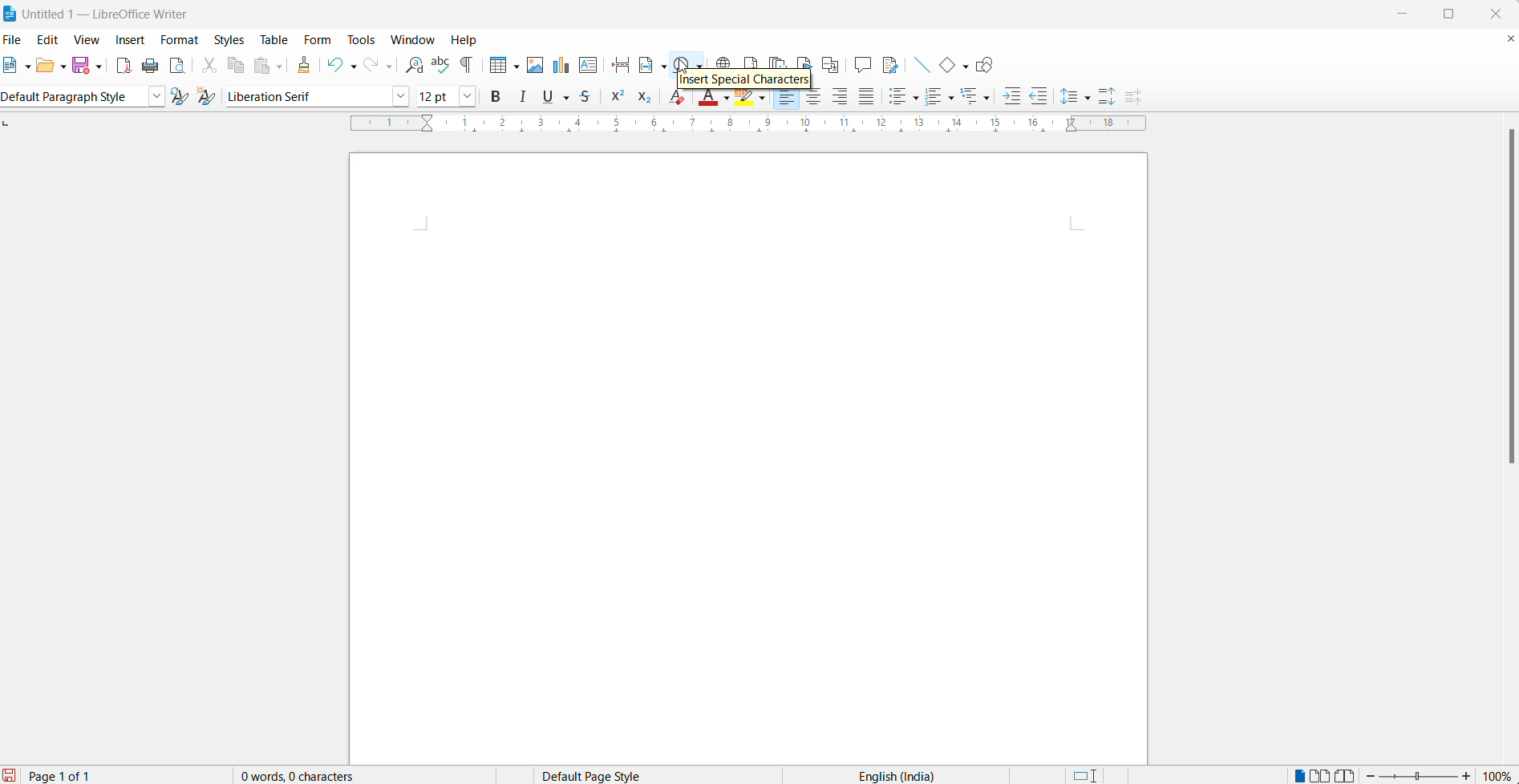 Image resolution: width=1519 pixels, height=784 pixels. I want to click on toggle formatting marks, so click(466, 66).